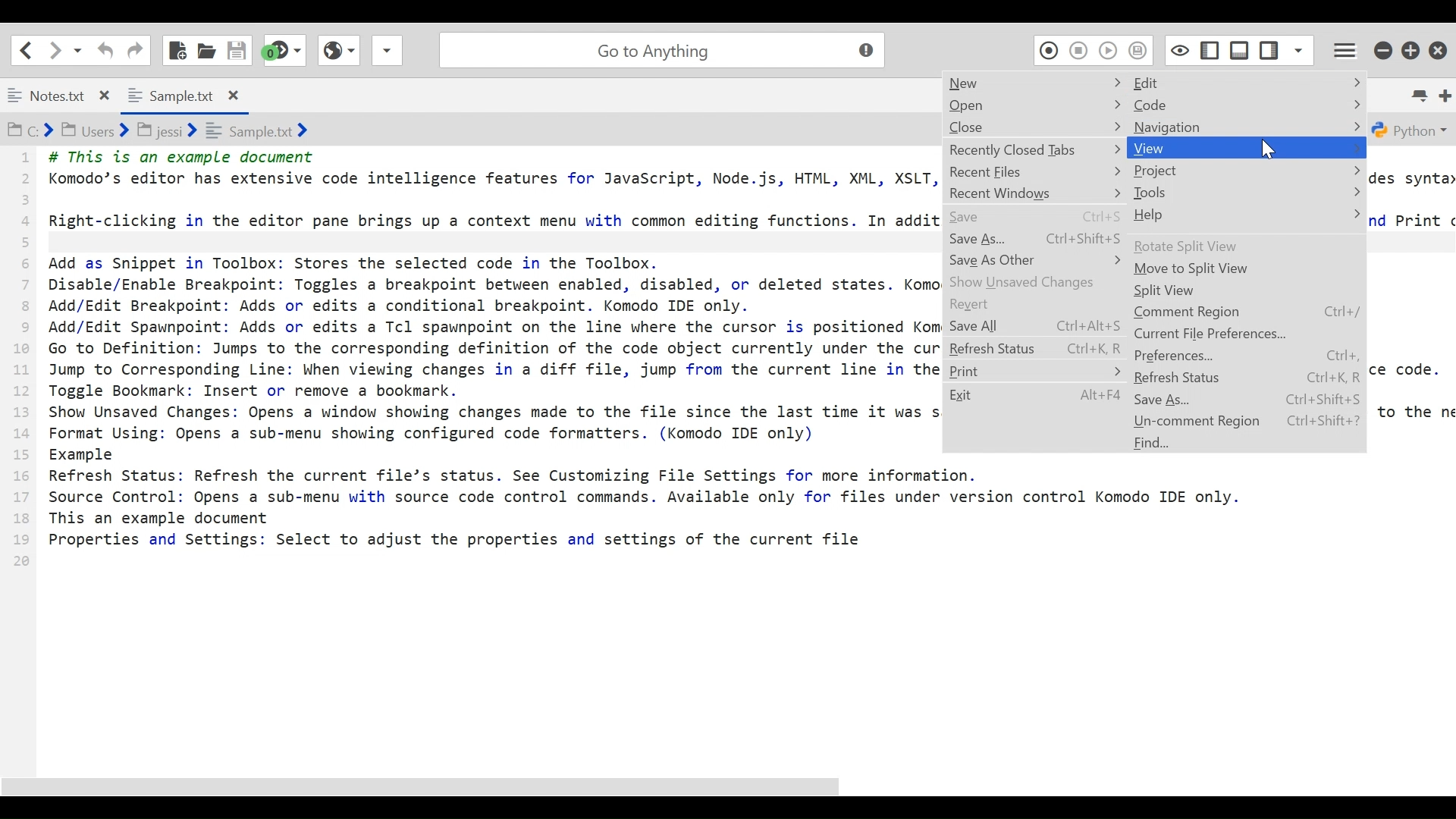 Image resolution: width=1456 pixels, height=819 pixels. Describe the element at coordinates (1034, 173) in the screenshot. I see `Recent Files` at that location.